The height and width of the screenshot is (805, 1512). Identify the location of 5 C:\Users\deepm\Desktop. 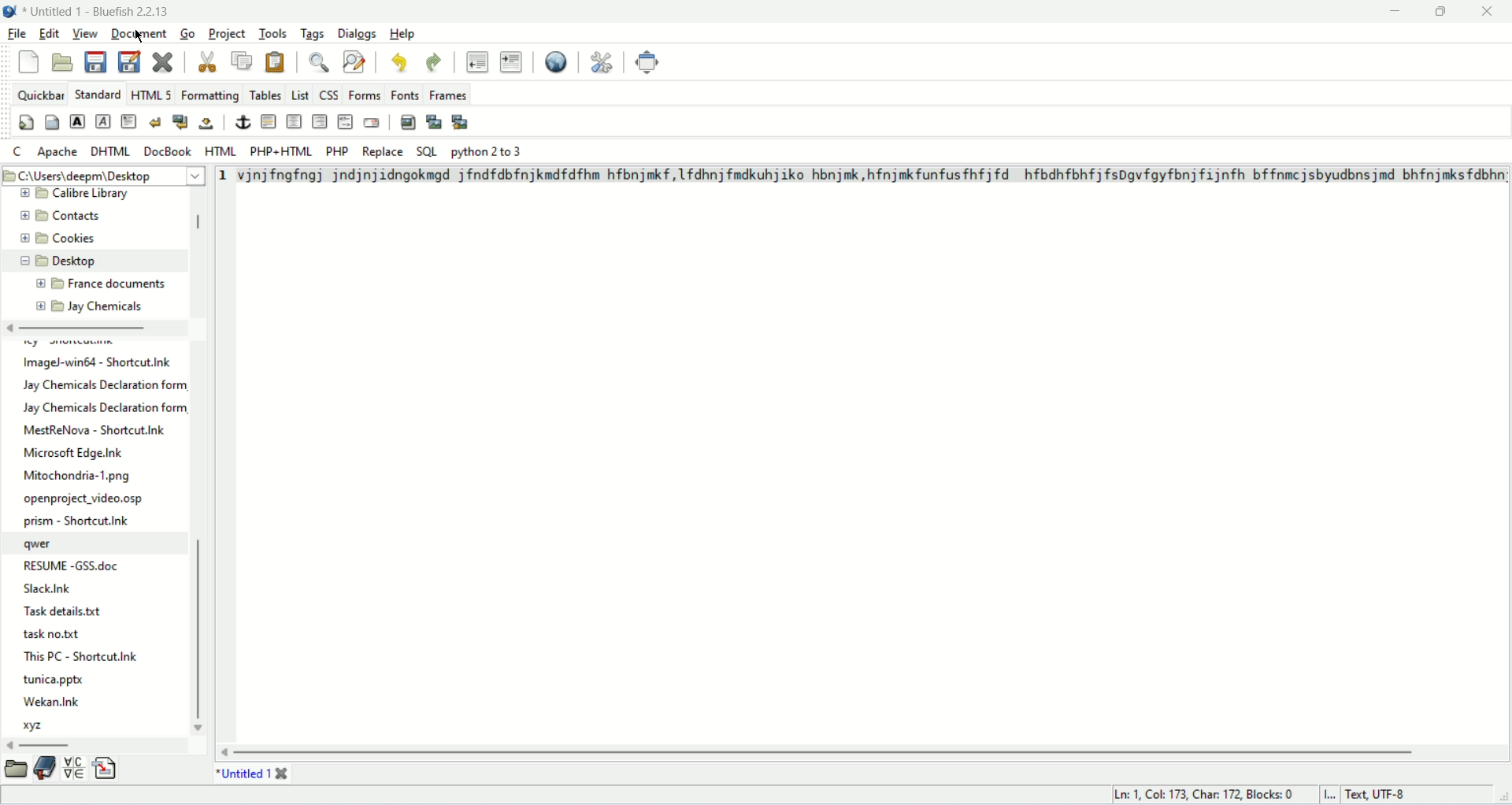
(83, 174).